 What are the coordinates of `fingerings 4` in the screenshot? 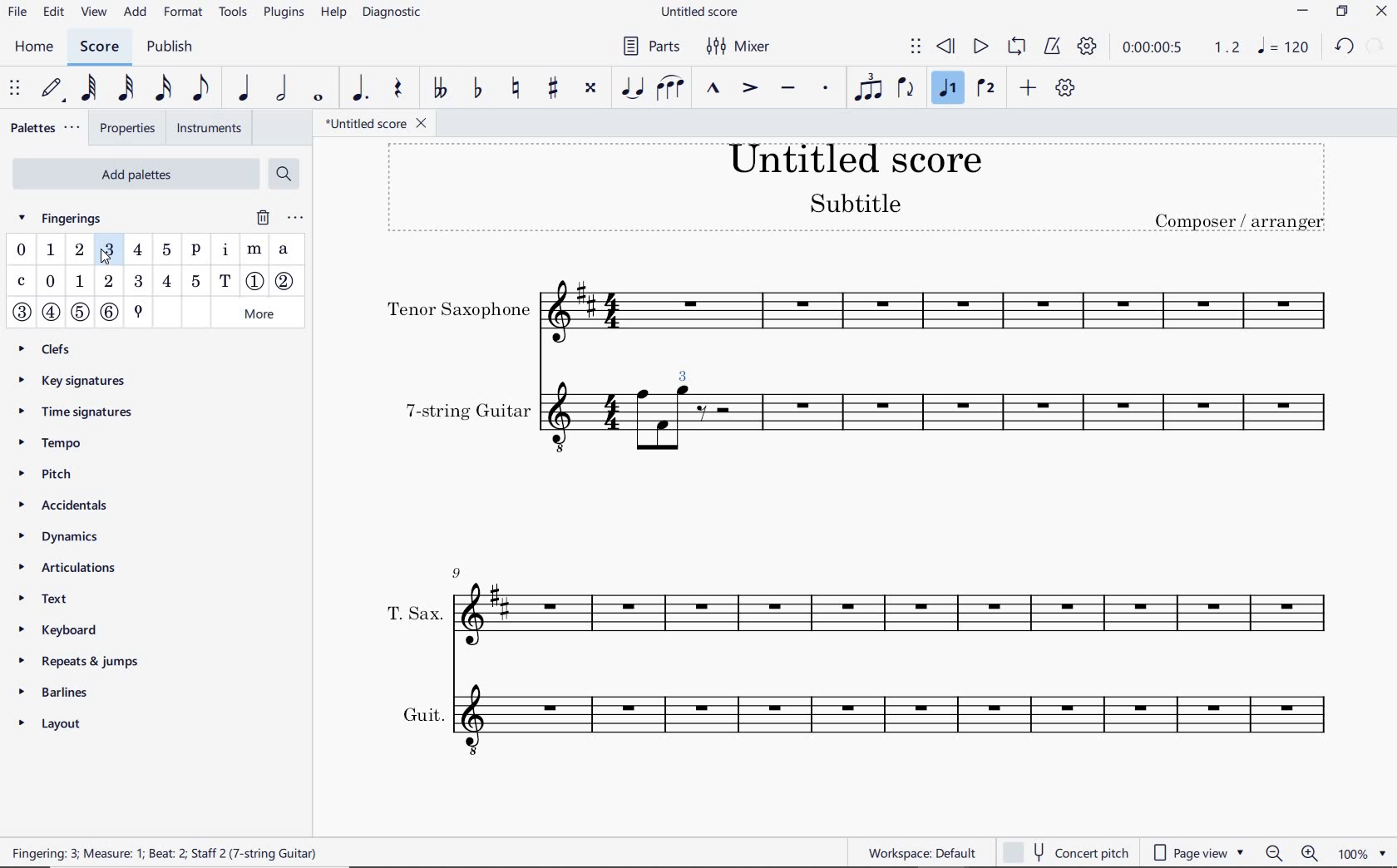 It's located at (138, 249).